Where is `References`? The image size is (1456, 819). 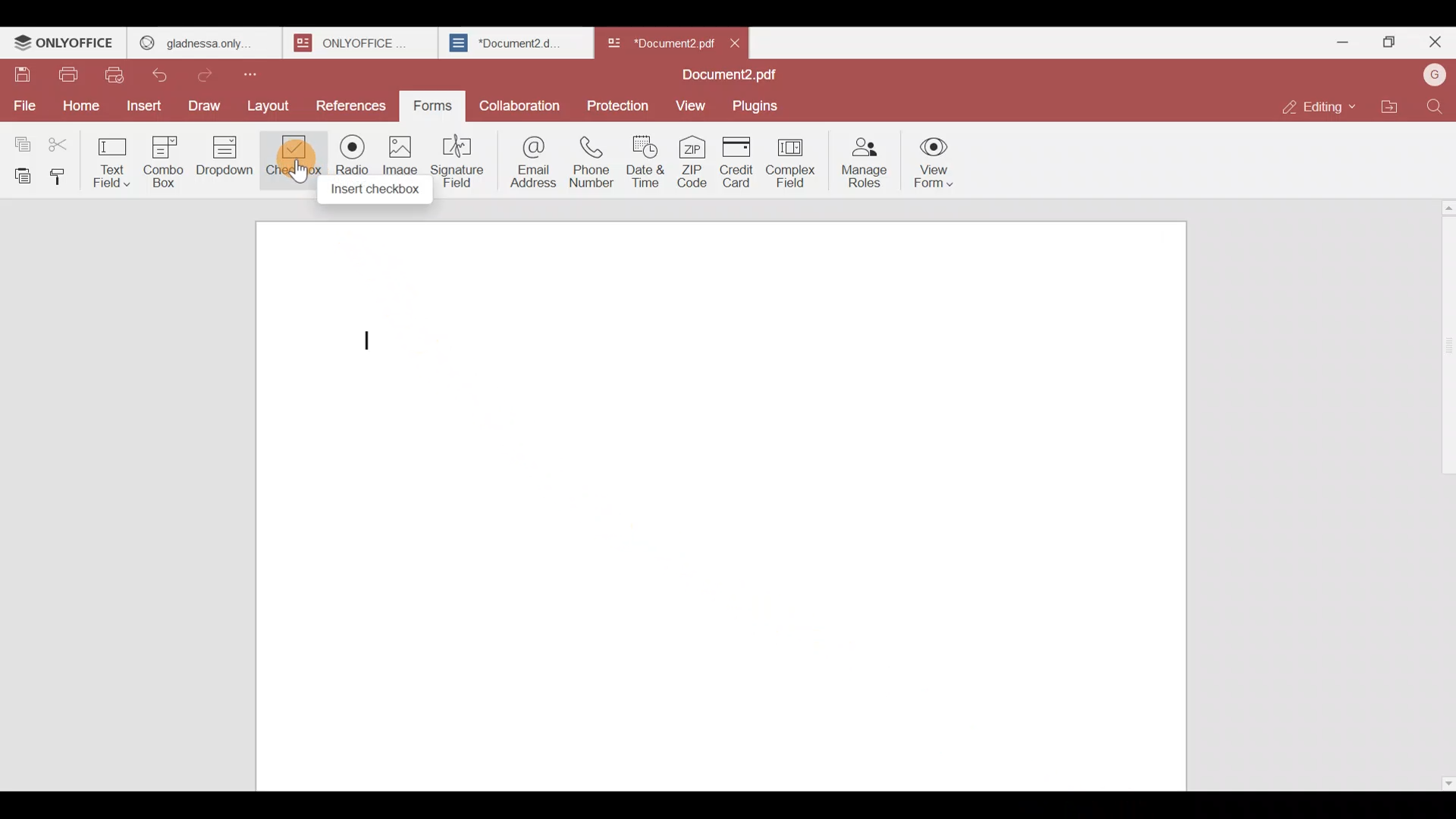 References is located at coordinates (351, 105).